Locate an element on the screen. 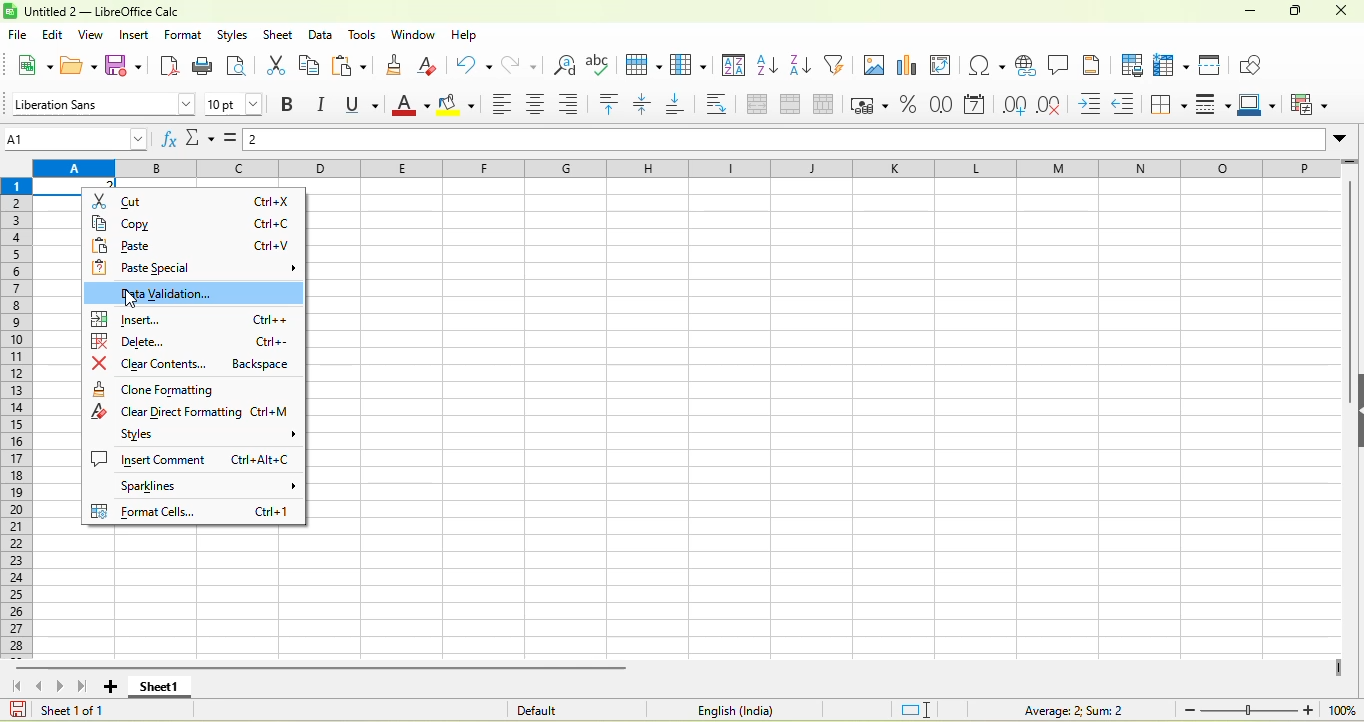  add decimal is located at coordinates (1015, 105).